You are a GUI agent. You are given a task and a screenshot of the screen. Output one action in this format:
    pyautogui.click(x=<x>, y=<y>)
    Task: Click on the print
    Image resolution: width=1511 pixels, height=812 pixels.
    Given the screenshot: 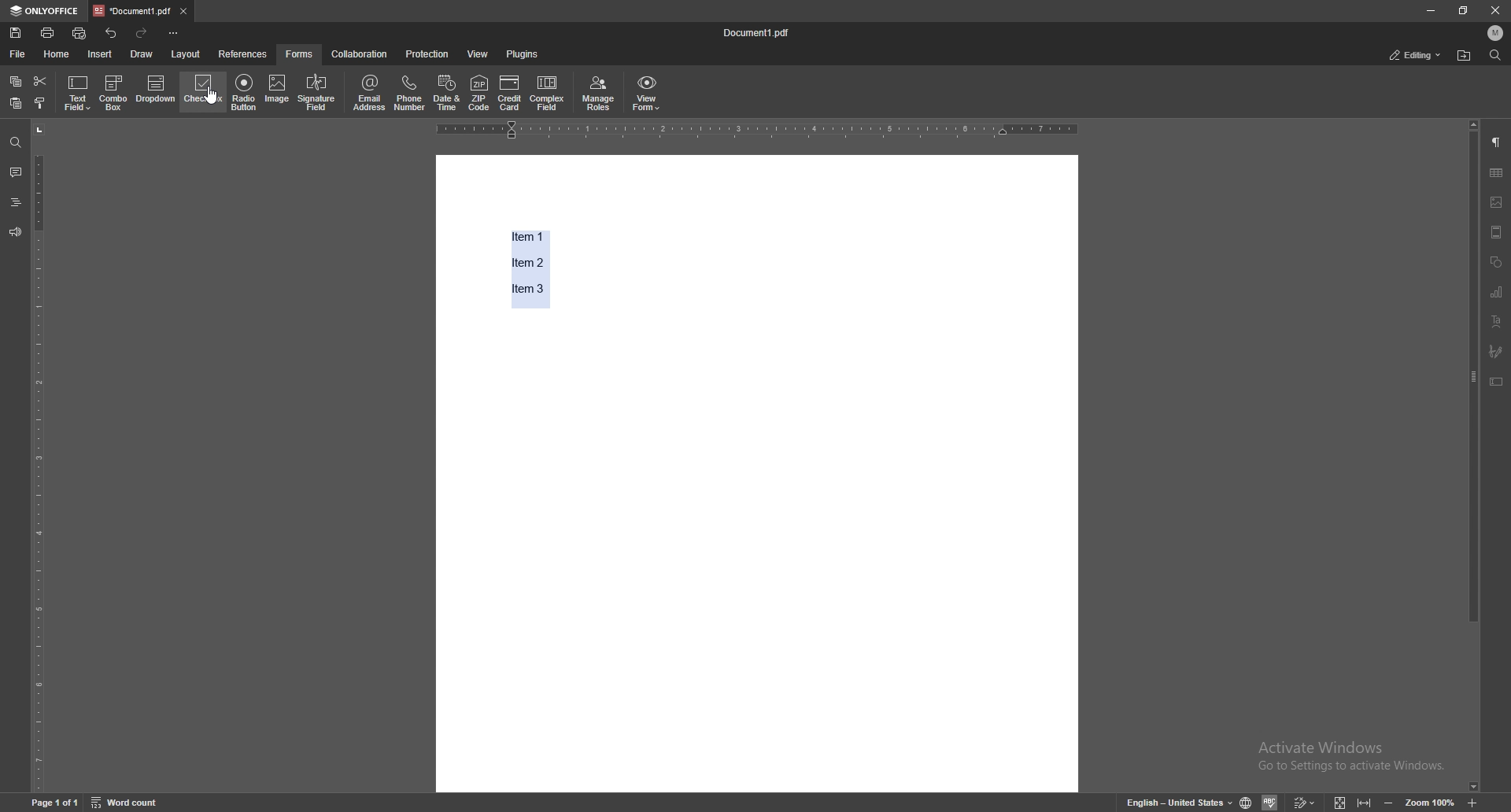 What is the action you would take?
    pyautogui.click(x=48, y=32)
    